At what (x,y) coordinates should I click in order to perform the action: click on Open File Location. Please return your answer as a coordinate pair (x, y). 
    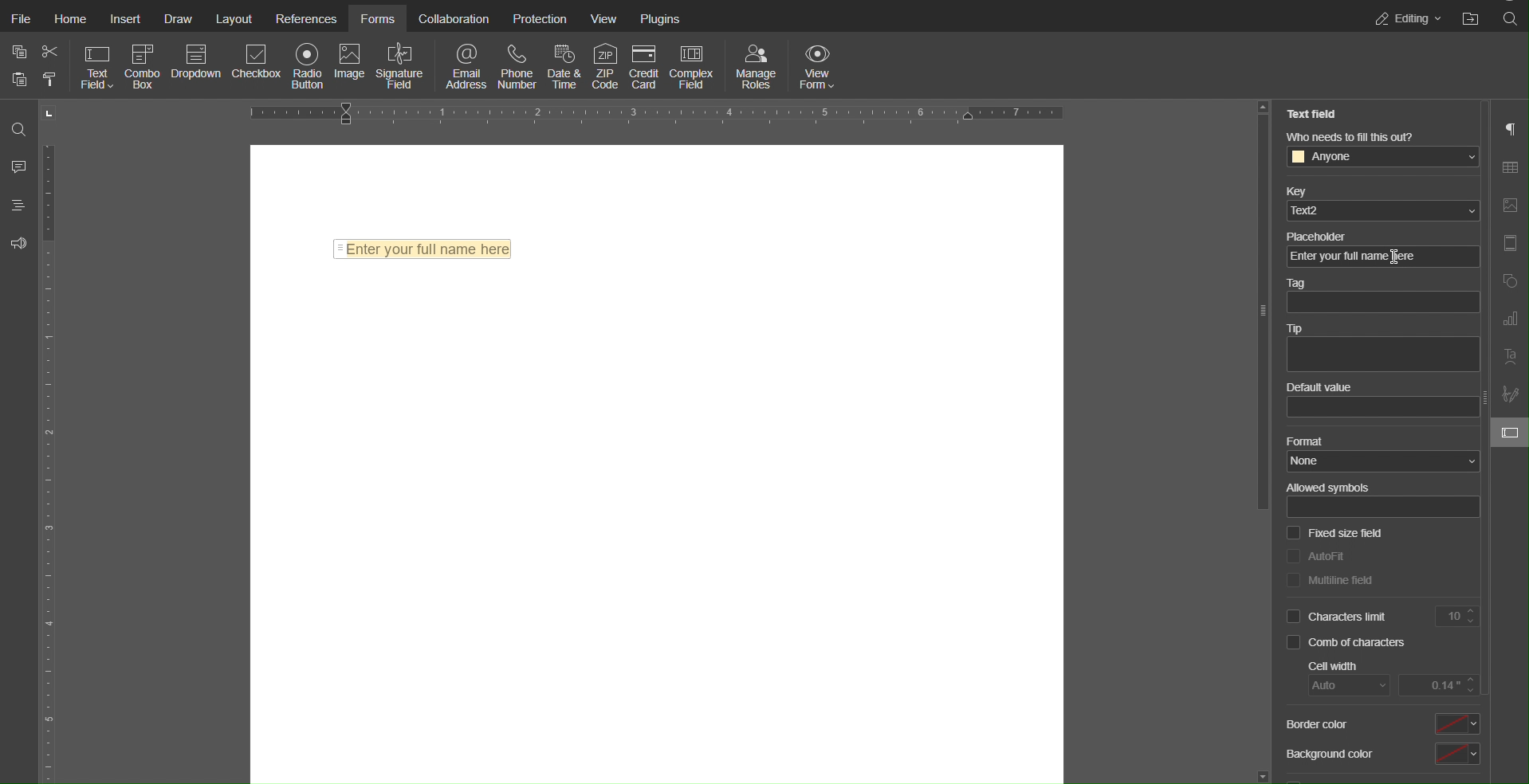
    Looking at the image, I should click on (1472, 17).